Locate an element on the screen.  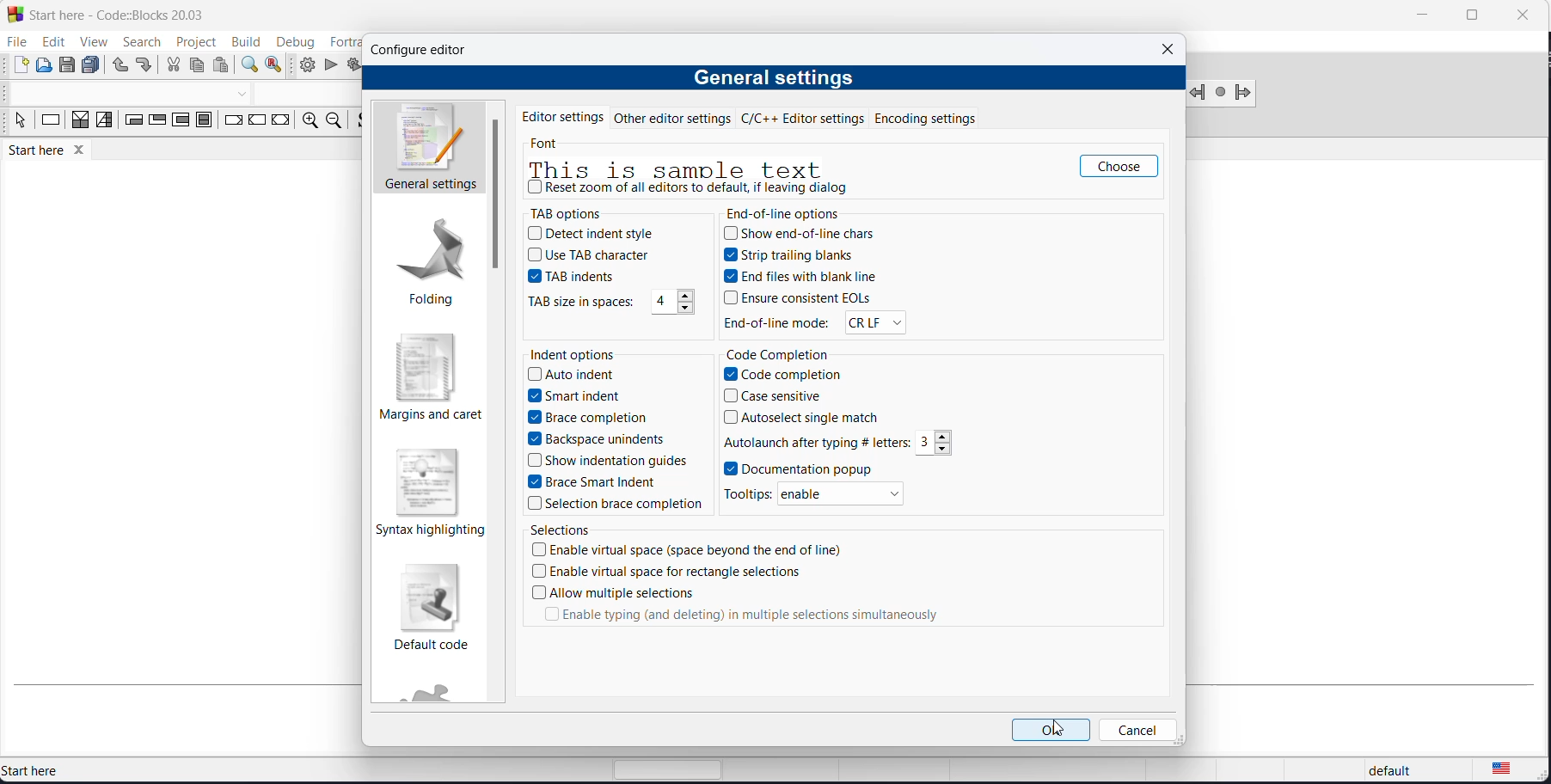
enable/disable is located at coordinates (844, 494).